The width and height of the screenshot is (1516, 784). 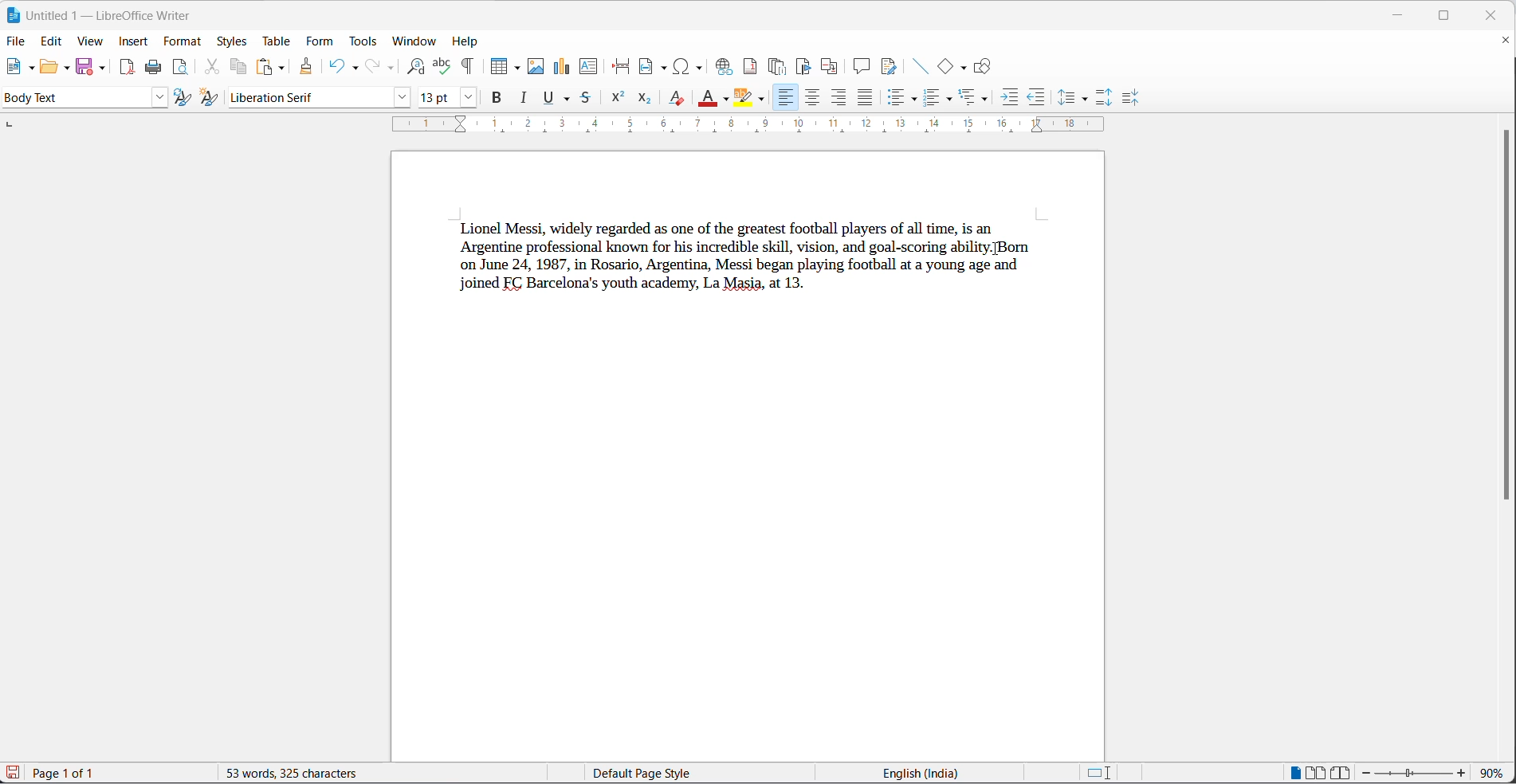 I want to click on decrease paragraph spacing, so click(x=1135, y=97).